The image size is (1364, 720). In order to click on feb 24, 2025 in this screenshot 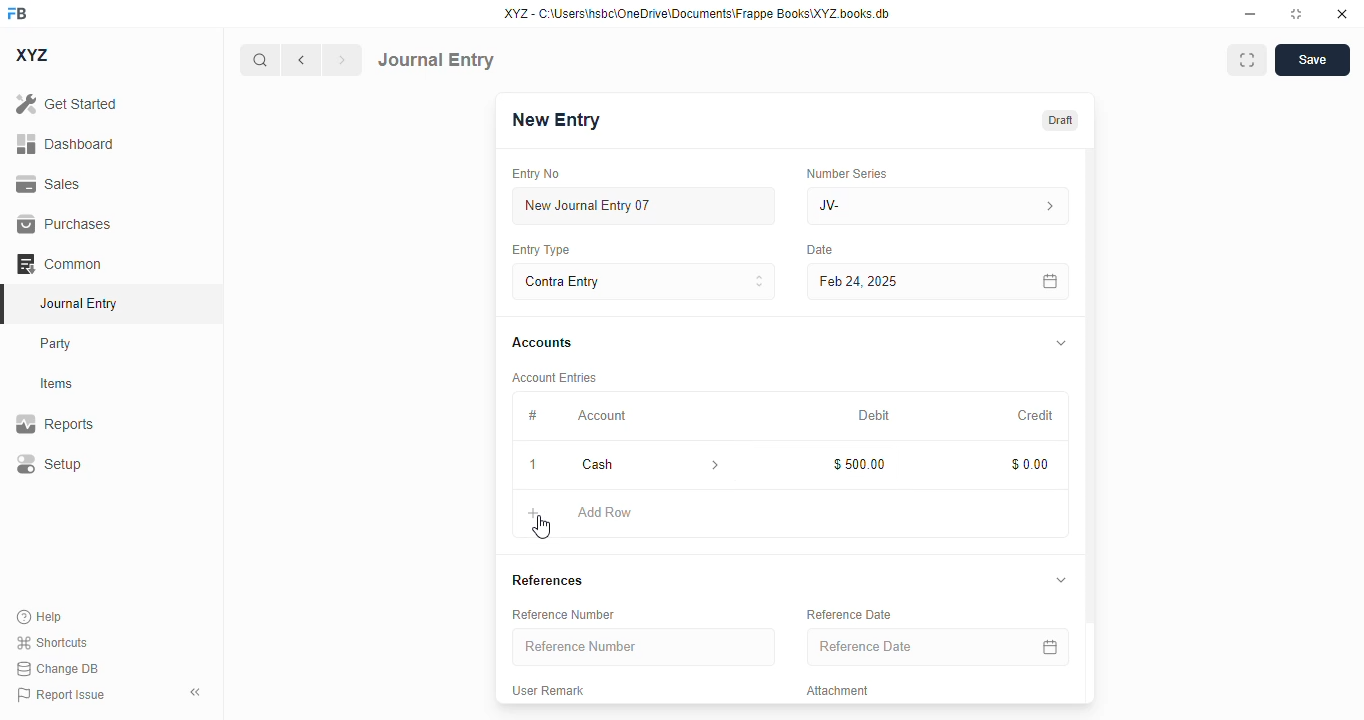, I will do `click(895, 282)`.